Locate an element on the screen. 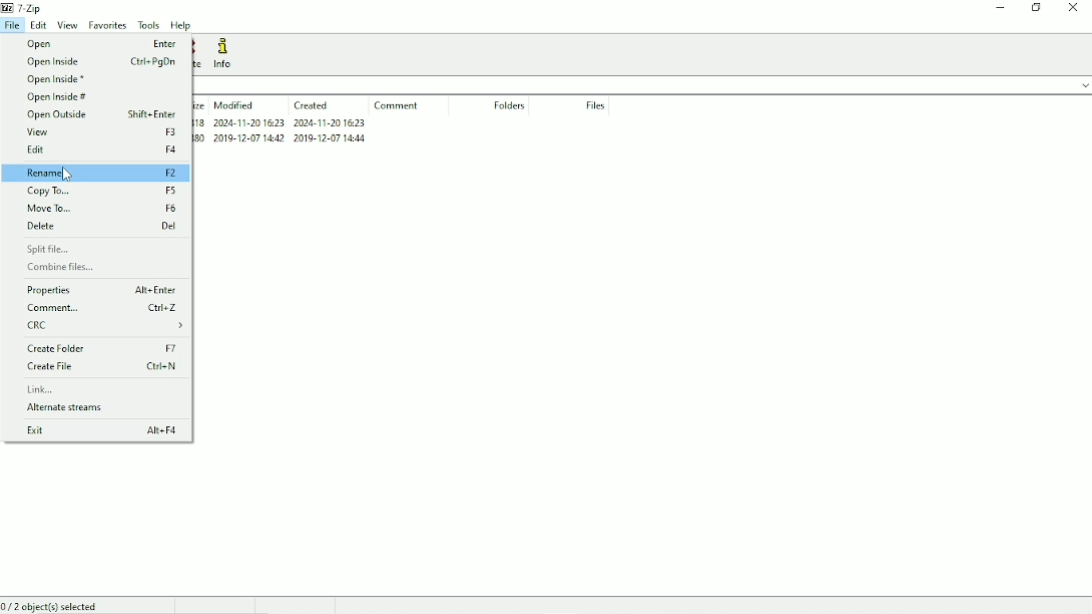 The width and height of the screenshot is (1092, 614). Restore down is located at coordinates (1037, 7).